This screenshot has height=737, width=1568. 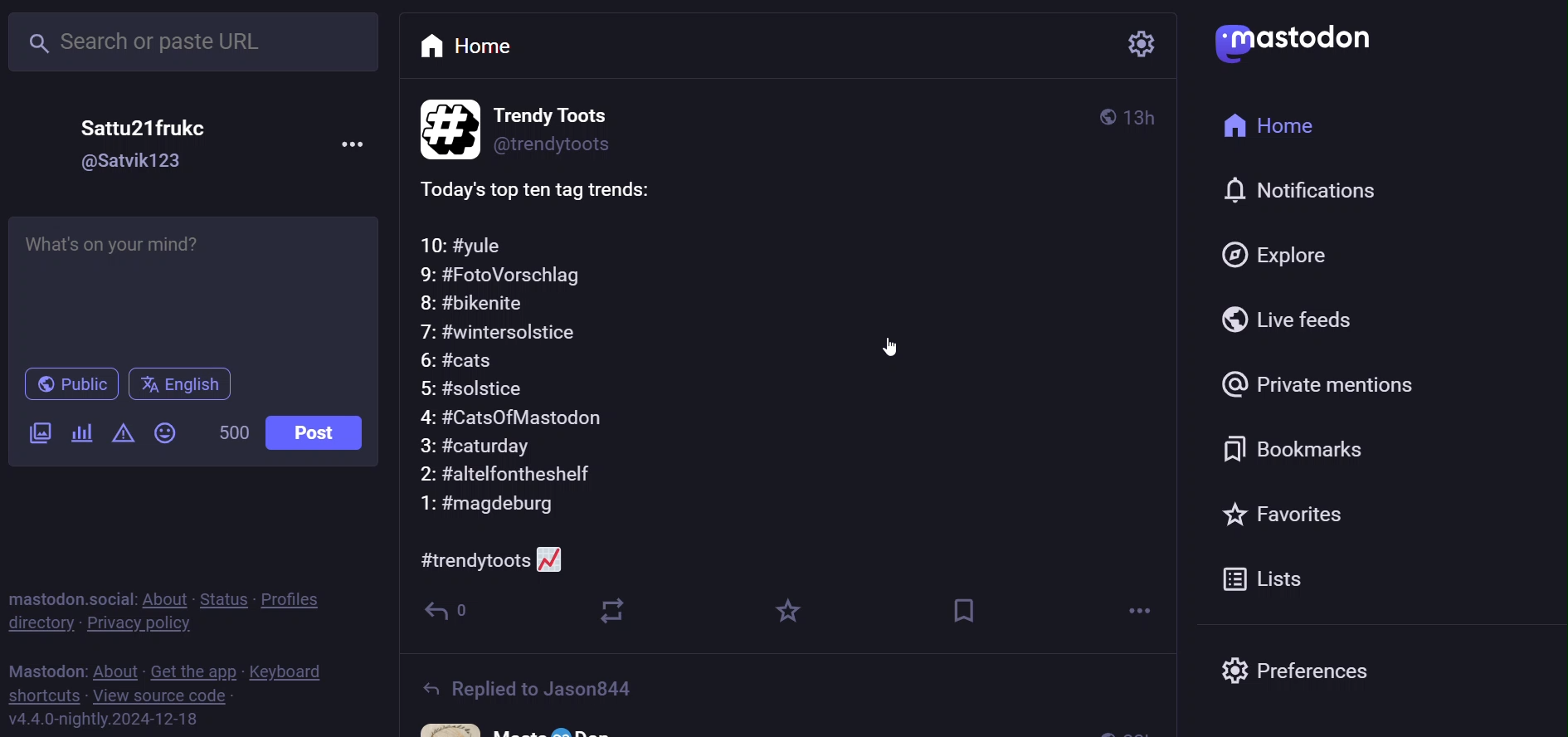 What do you see at coordinates (123, 720) in the screenshot?
I see `Vv4.4.0-nightly.2024-12-18` at bounding box center [123, 720].